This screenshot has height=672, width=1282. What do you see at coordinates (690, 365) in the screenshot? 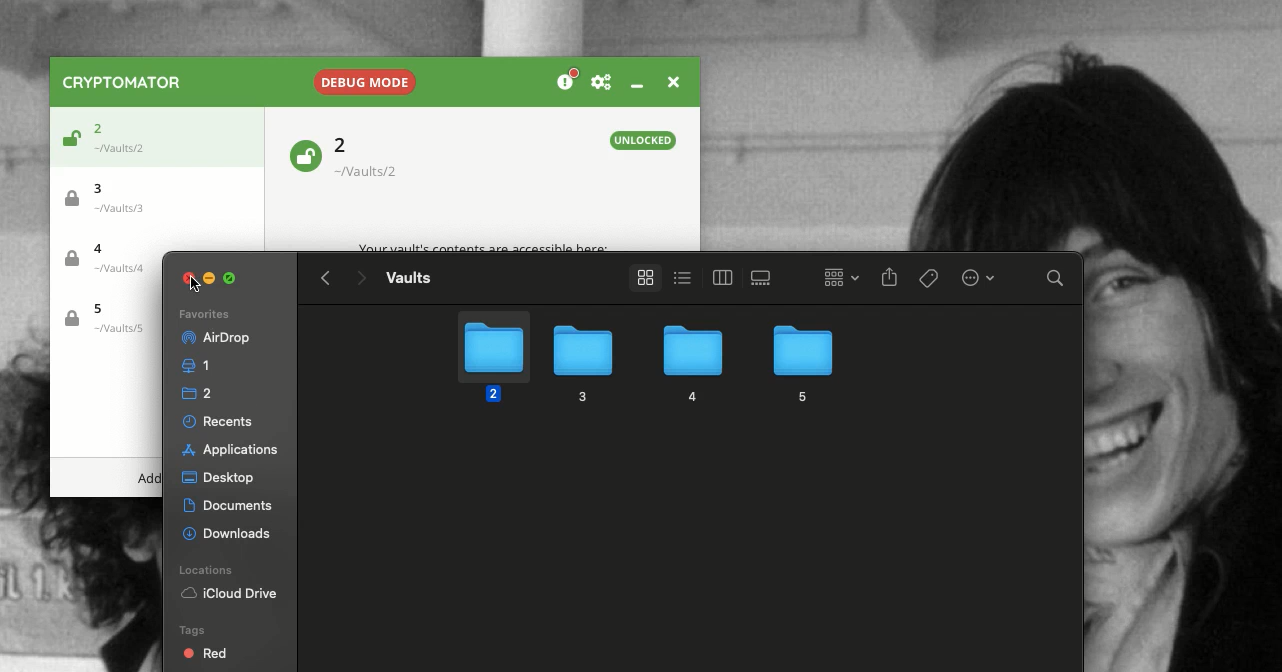
I see `4` at bounding box center [690, 365].